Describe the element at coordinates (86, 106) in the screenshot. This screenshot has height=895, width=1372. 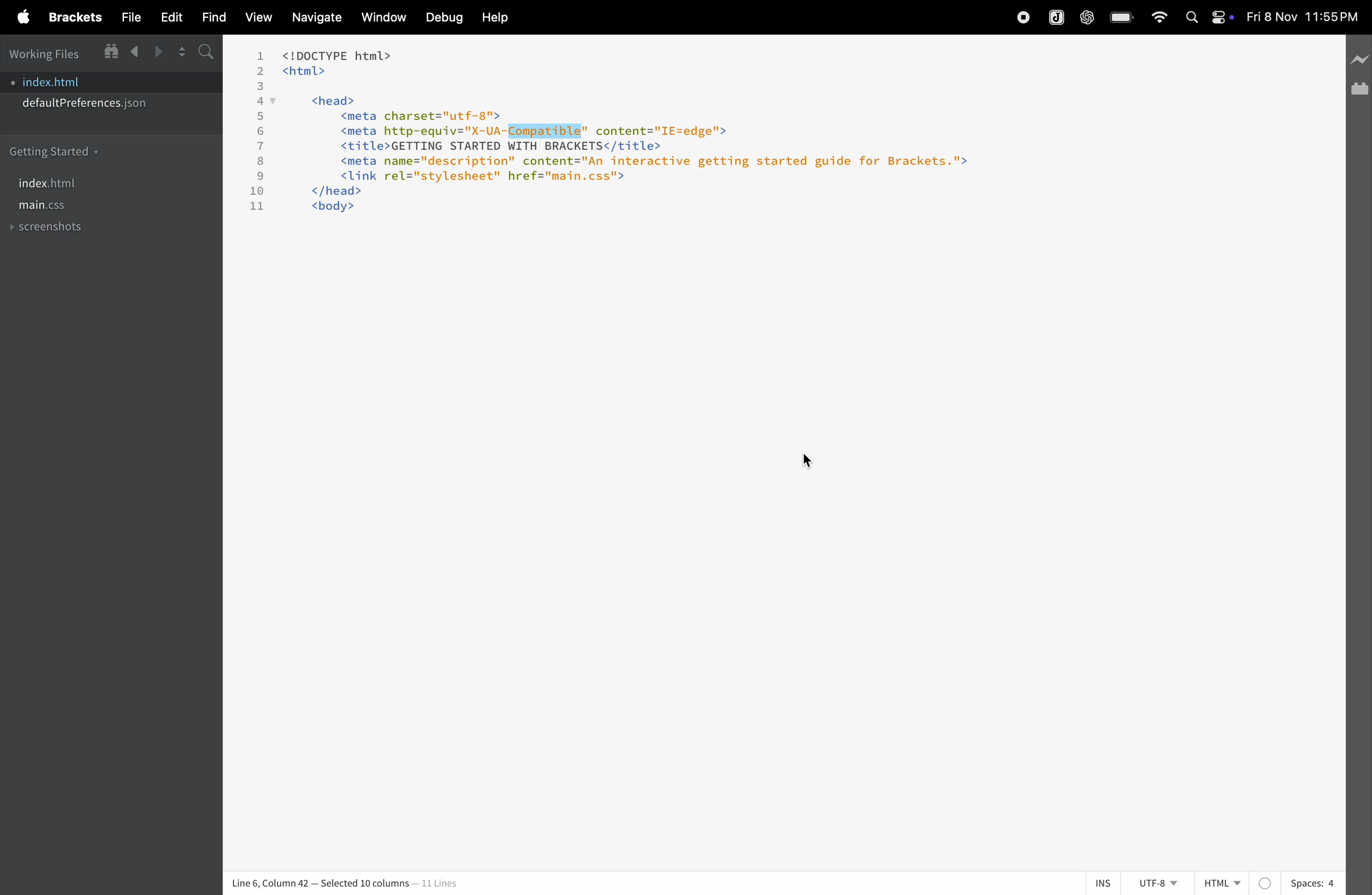
I see `defaultprefrences.json` at that location.